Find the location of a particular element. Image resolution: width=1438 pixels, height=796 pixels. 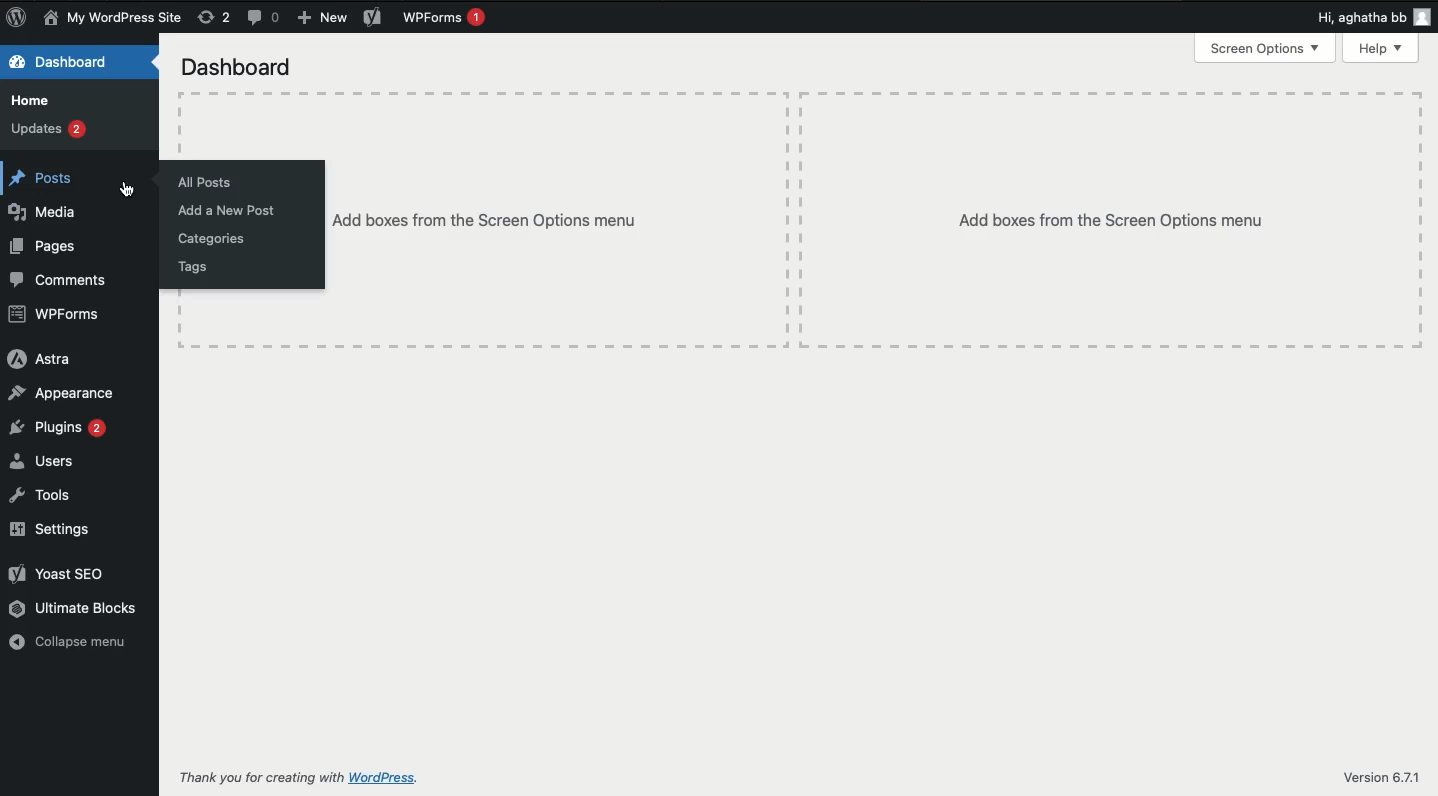

Dashboard is located at coordinates (237, 69).